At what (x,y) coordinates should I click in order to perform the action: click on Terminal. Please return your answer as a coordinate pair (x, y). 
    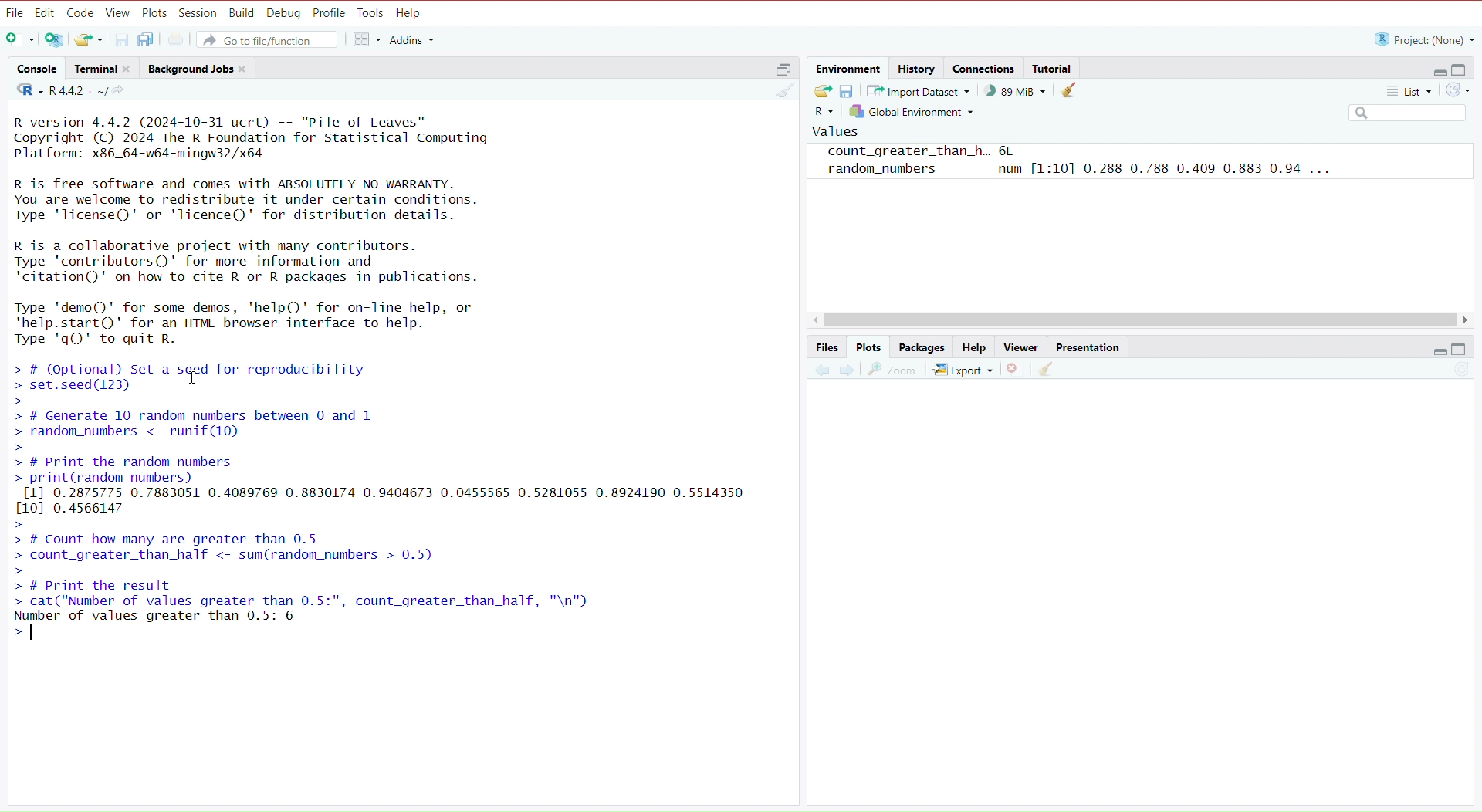
    Looking at the image, I should click on (100, 68).